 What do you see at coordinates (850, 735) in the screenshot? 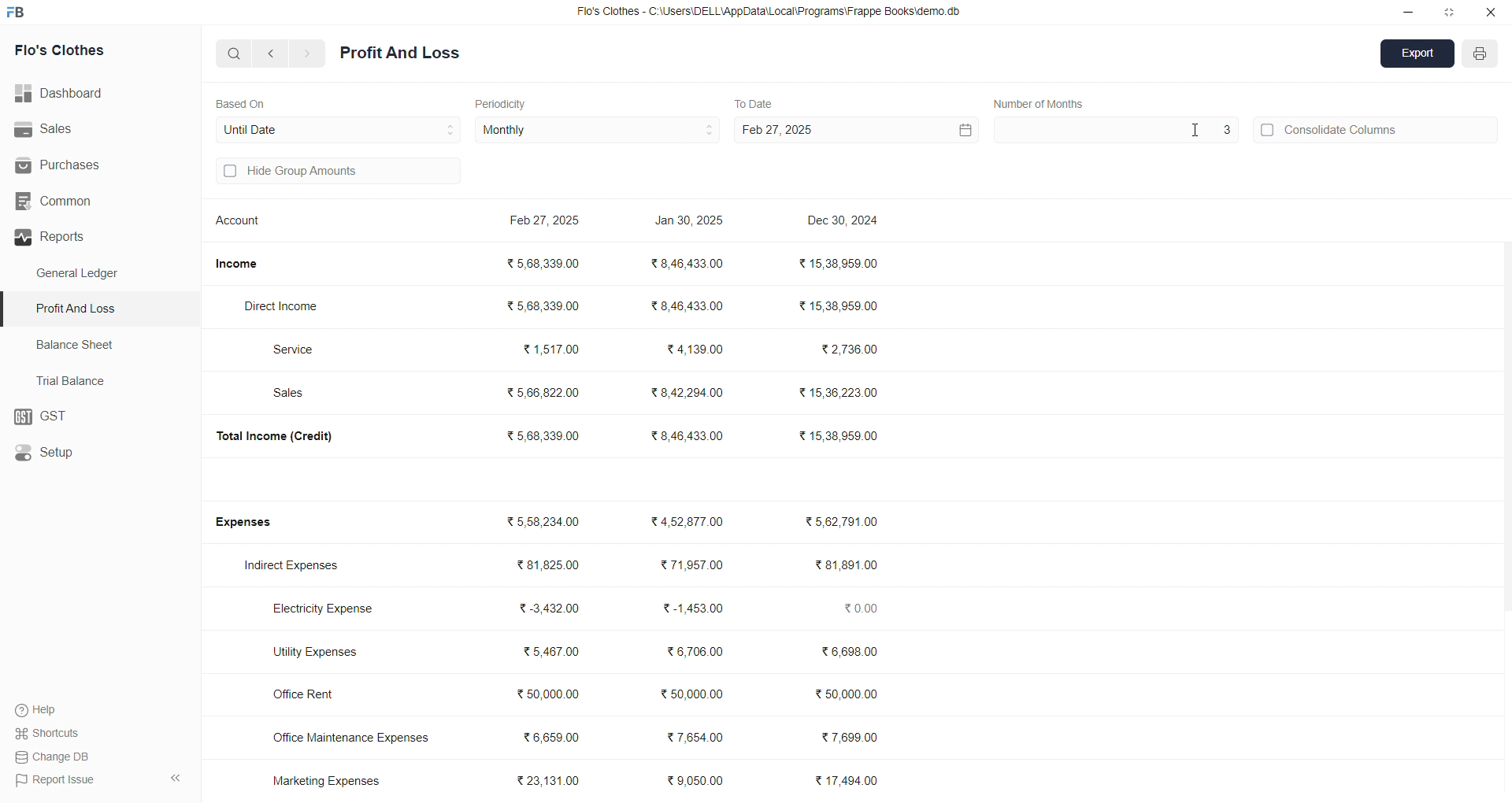
I see `₹7,699.00` at bounding box center [850, 735].